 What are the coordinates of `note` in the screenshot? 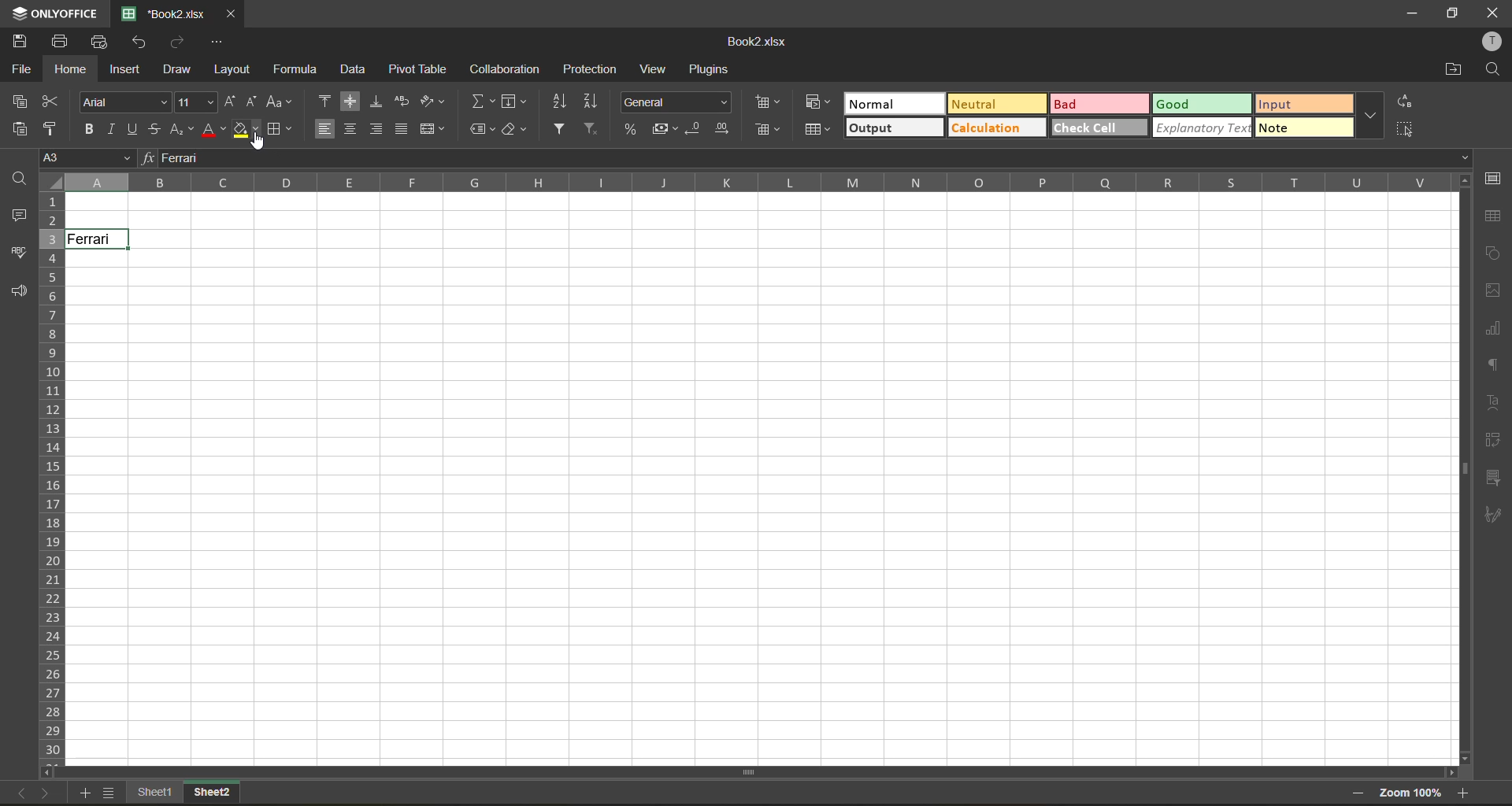 It's located at (1306, 128).